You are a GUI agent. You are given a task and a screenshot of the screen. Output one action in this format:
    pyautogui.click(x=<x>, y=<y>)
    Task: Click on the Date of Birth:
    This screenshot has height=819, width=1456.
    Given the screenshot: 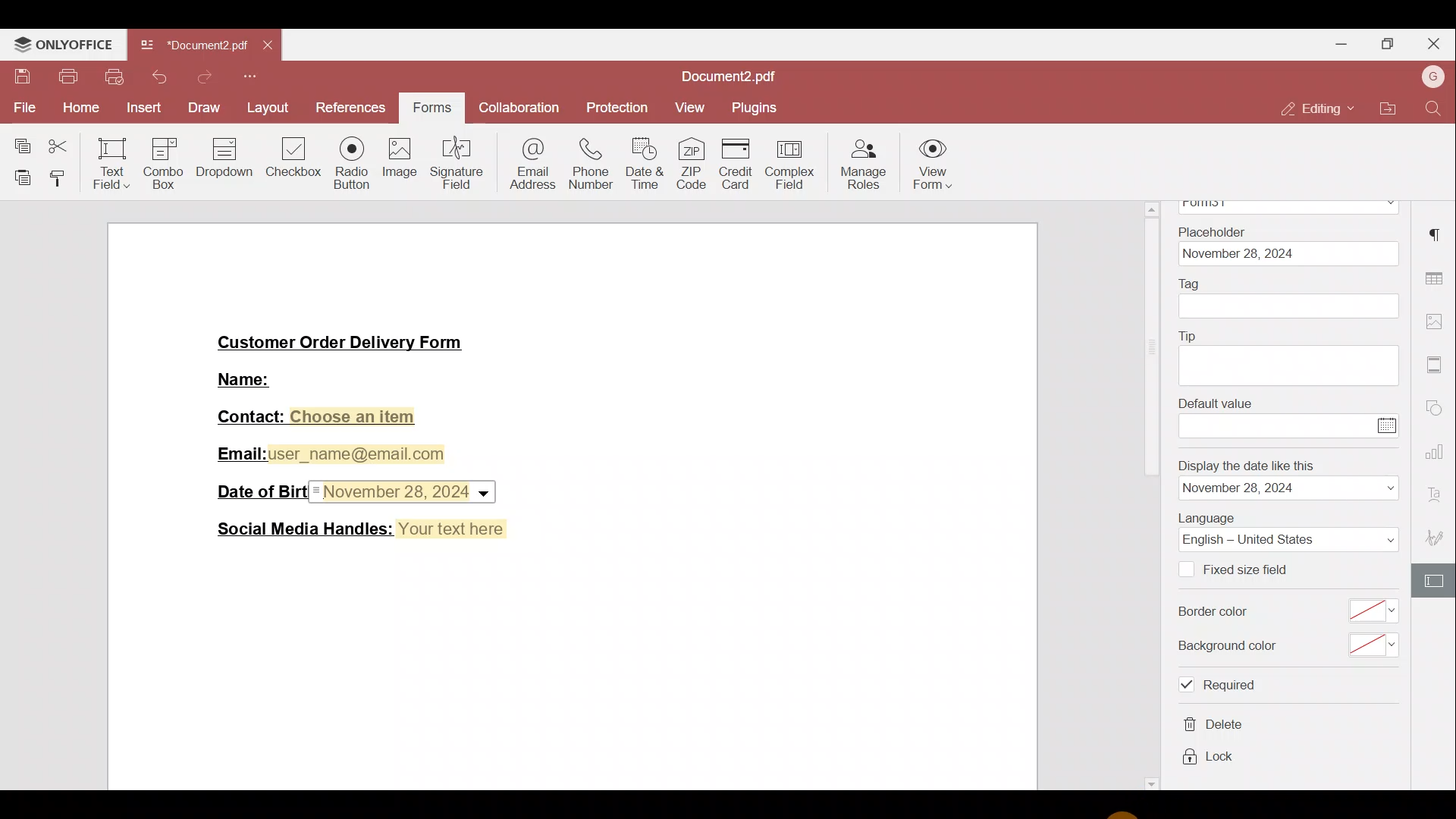 What is the action you would take?
    pyautogui.click(x=258, y=490)
    